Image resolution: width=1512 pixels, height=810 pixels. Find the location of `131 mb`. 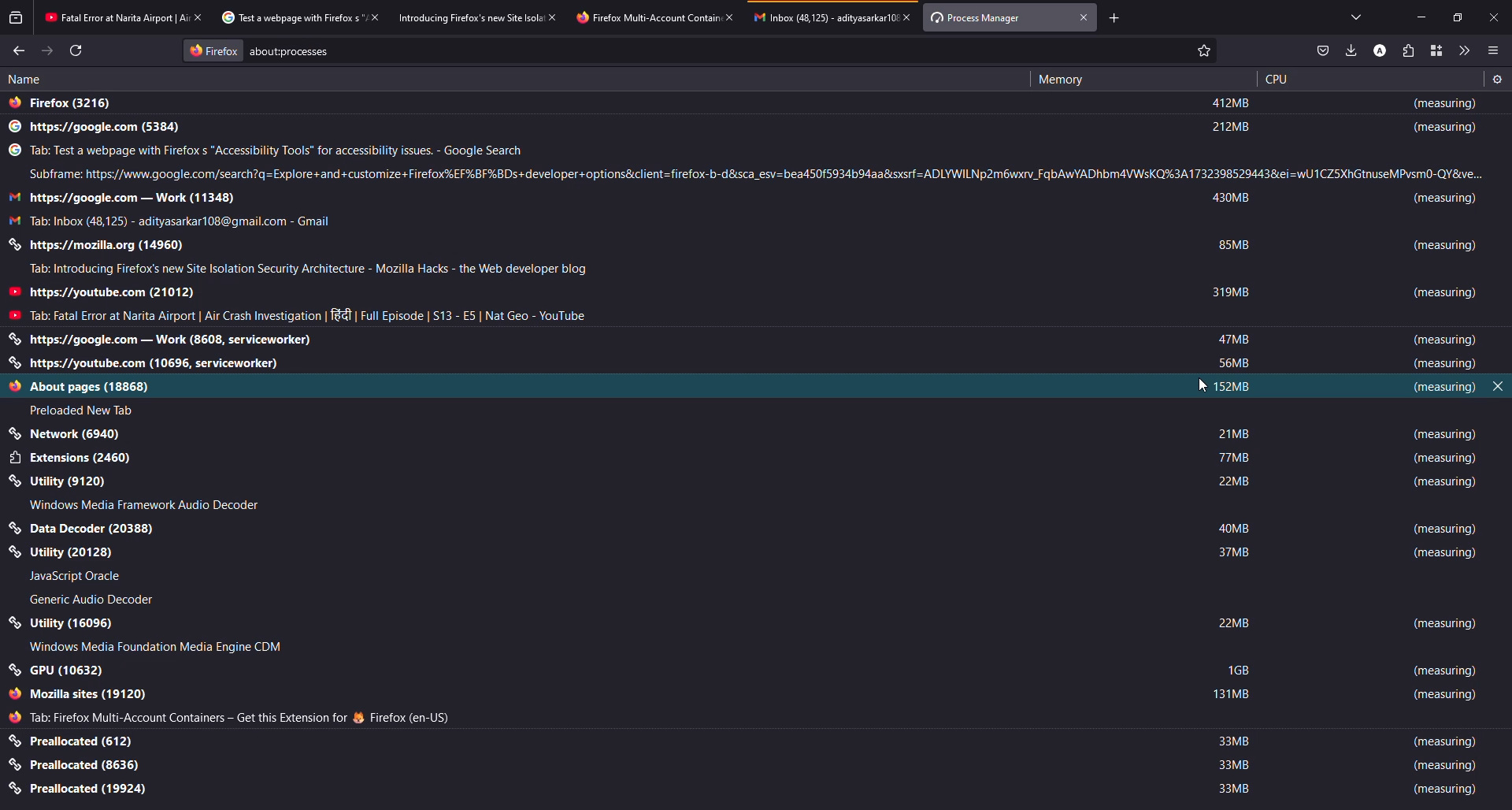

131 mb is located at coordinates (1232, 696).